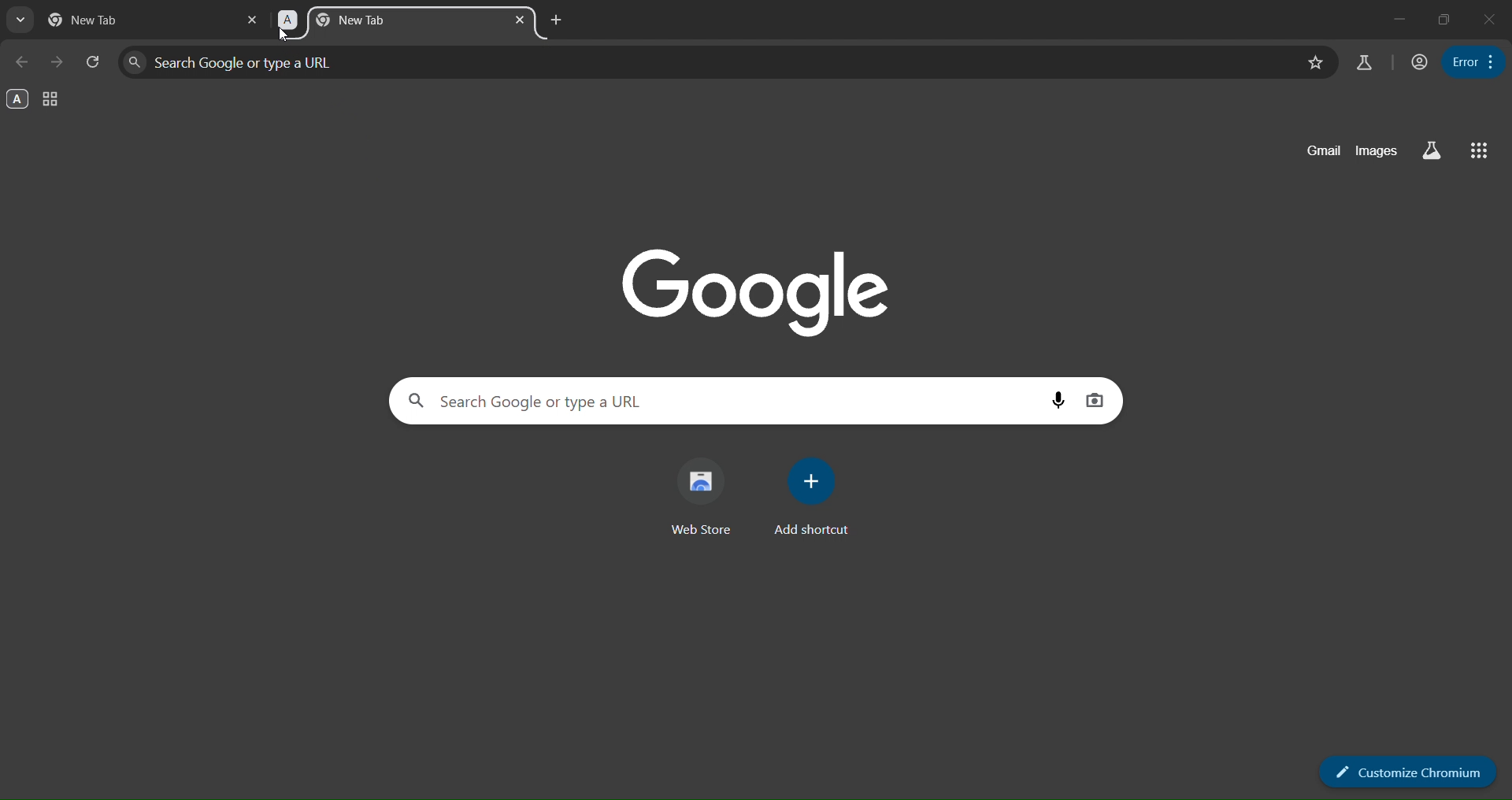 This screenshot has height=800, width=1512. Describe the element at coordinates (58, 61) in the screenshot. I see `go forward one page` at that location.